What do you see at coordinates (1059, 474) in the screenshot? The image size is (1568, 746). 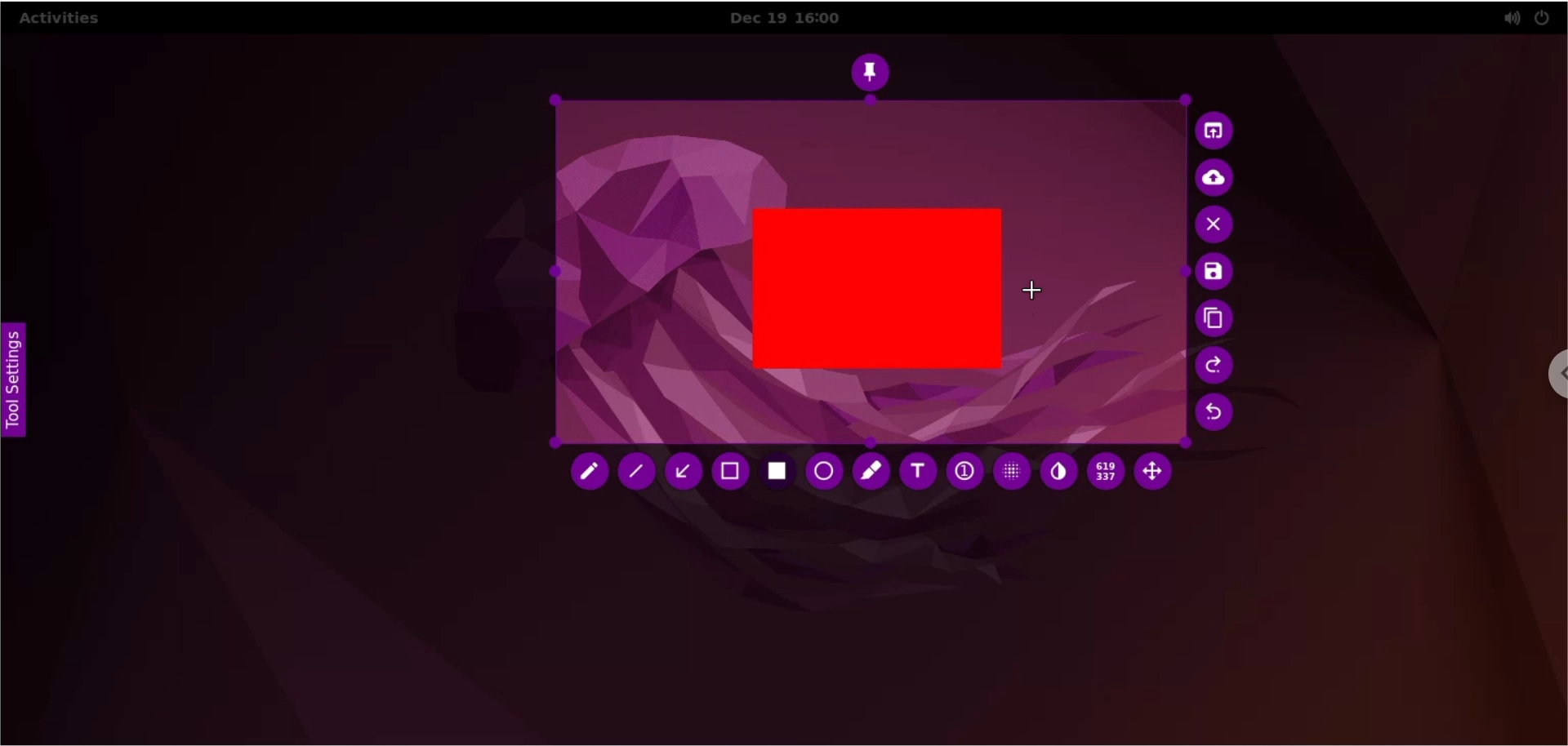 I see `inverter` at bounding box center [1059, 474].